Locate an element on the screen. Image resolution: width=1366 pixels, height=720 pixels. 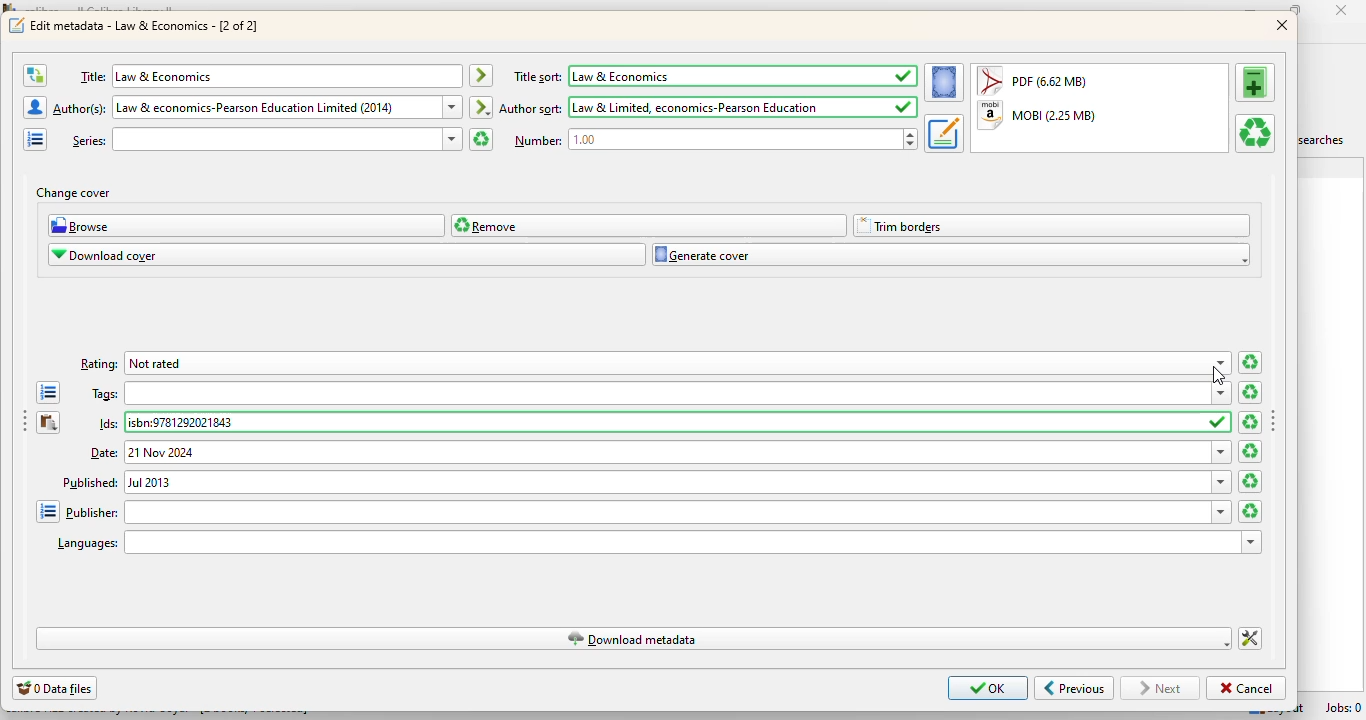
Ids:  is located at coordinates (662, 422).